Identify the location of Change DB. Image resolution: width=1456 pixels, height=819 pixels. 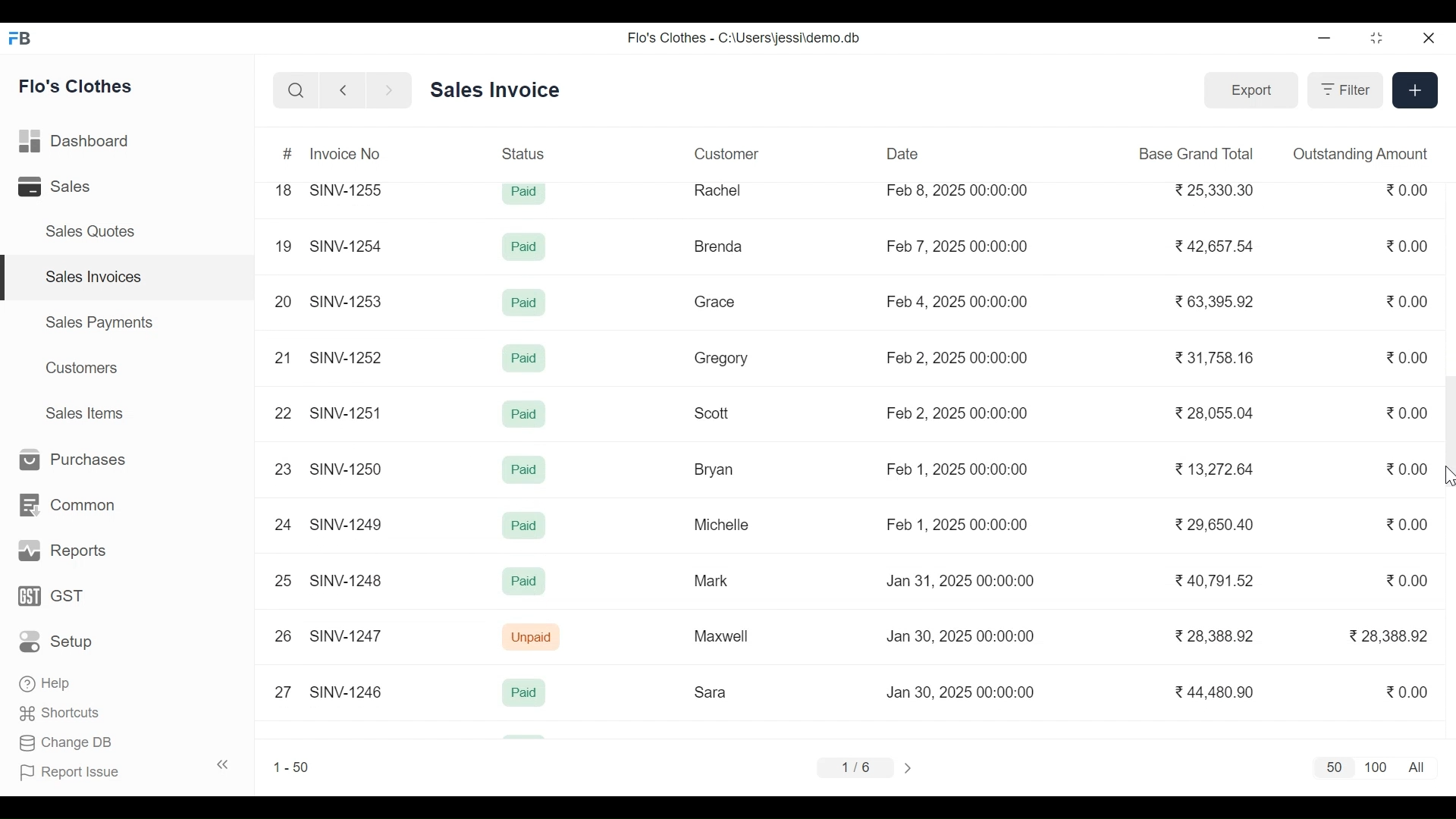
(67, 745).